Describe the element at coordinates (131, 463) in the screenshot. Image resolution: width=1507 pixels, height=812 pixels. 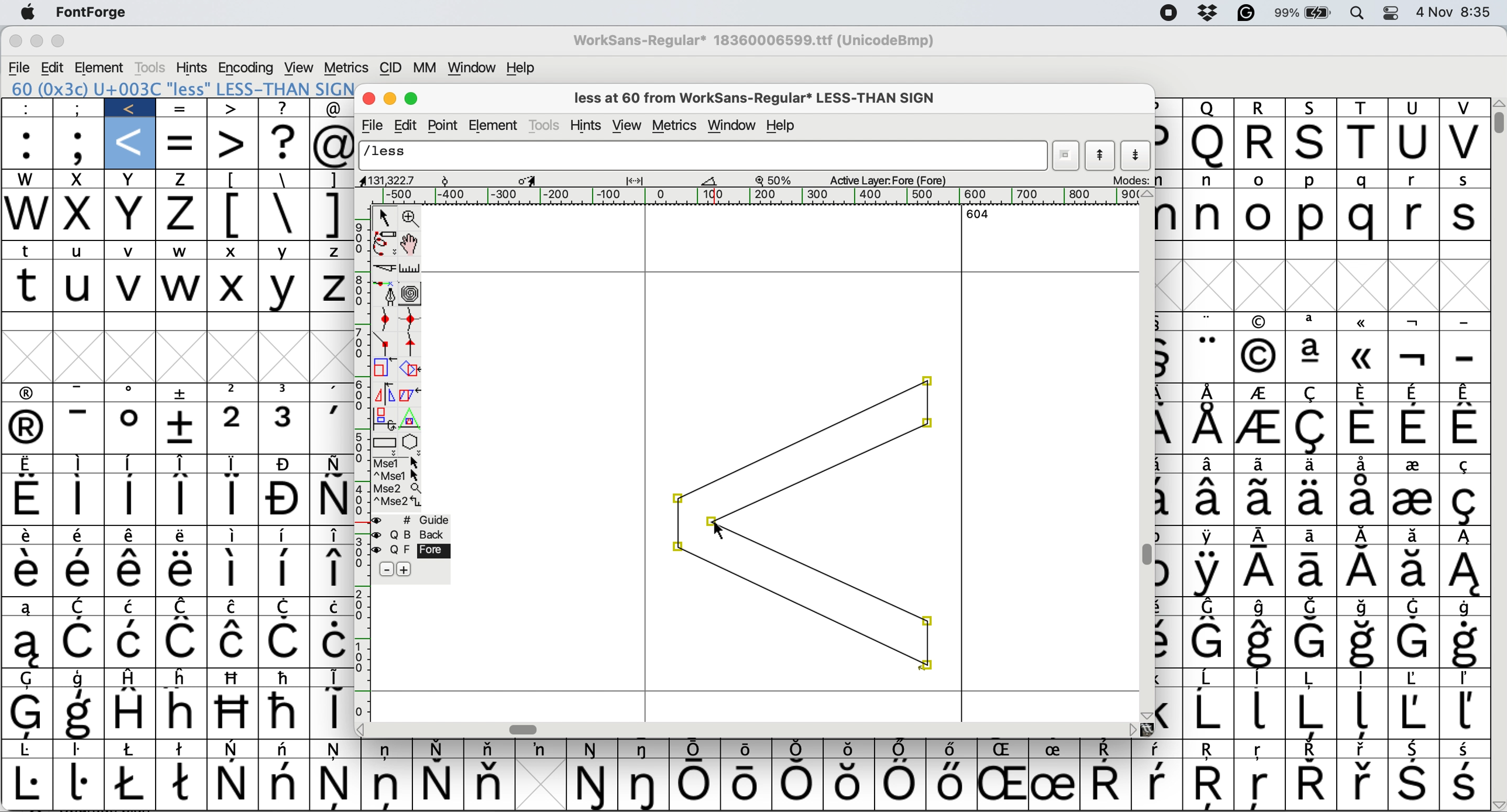
I see `Symbol` at that location.